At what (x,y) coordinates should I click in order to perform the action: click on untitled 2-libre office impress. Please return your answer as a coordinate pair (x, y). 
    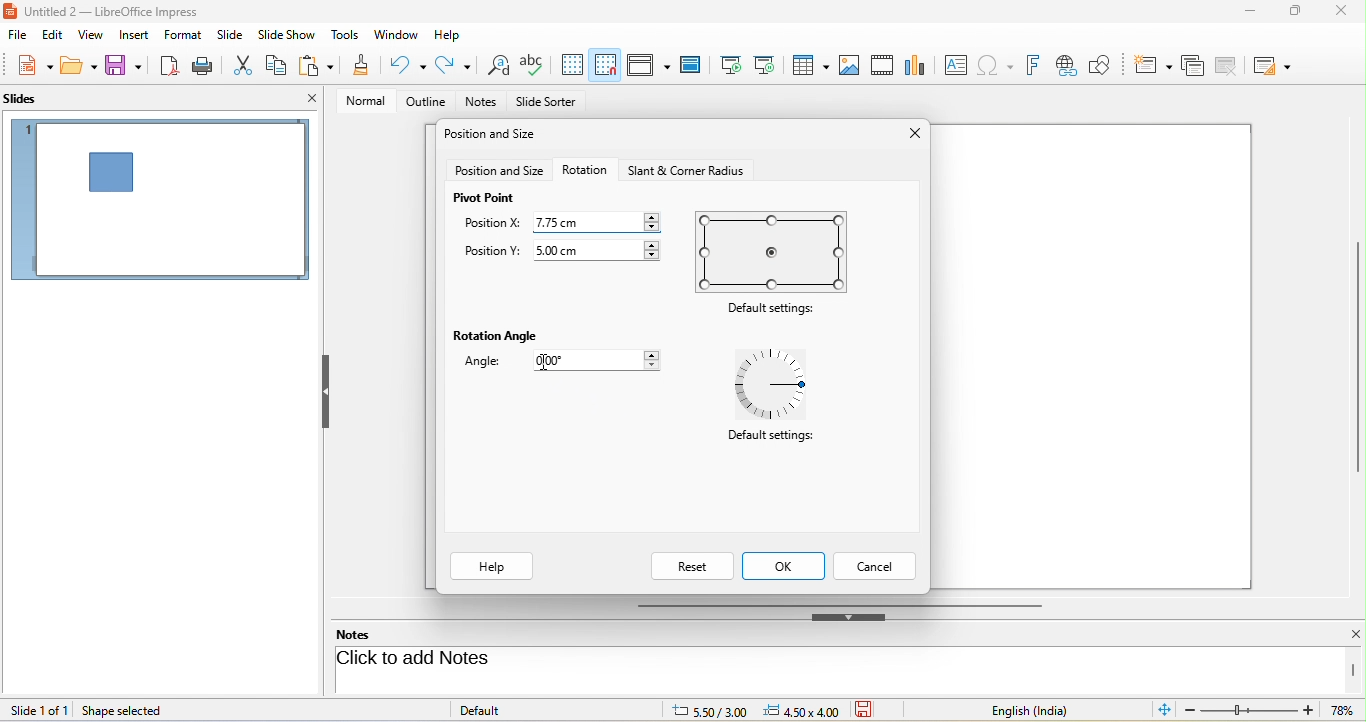
    Looking at the image, I should click on (123, 10).